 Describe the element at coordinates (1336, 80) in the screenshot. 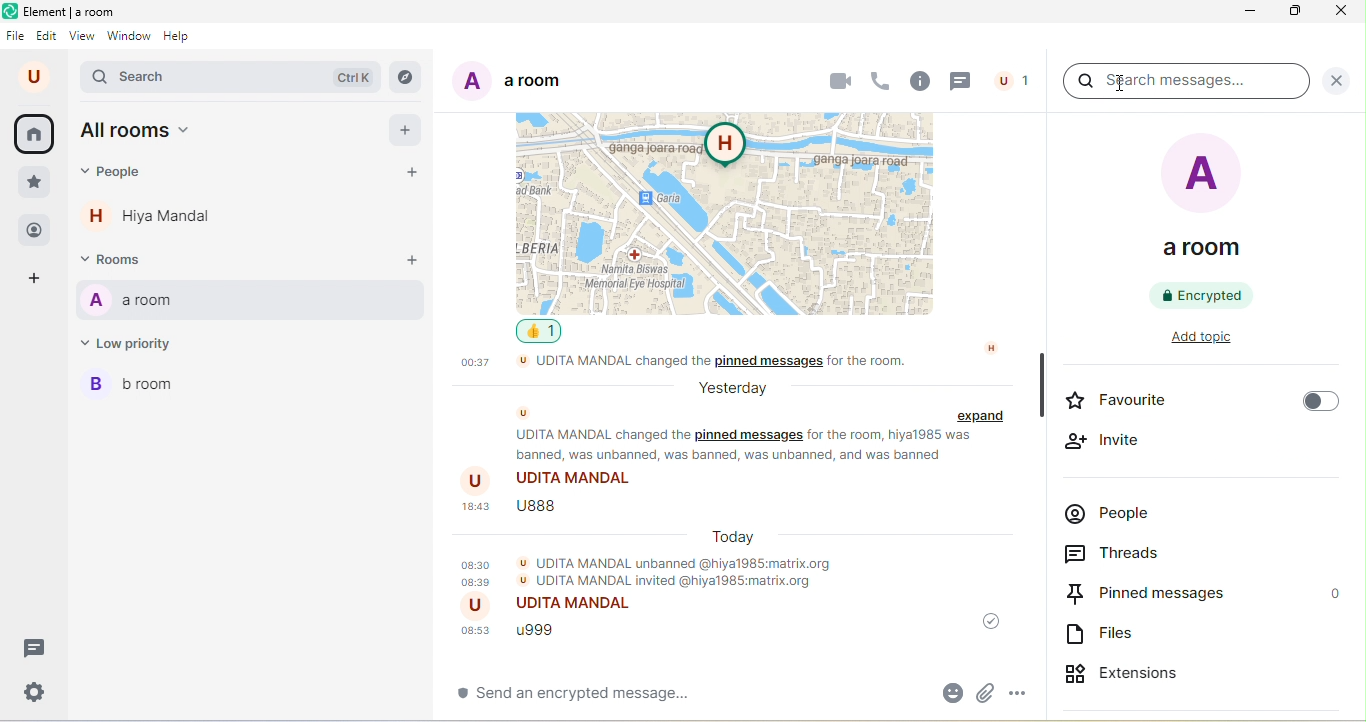

I see `close` at that location.